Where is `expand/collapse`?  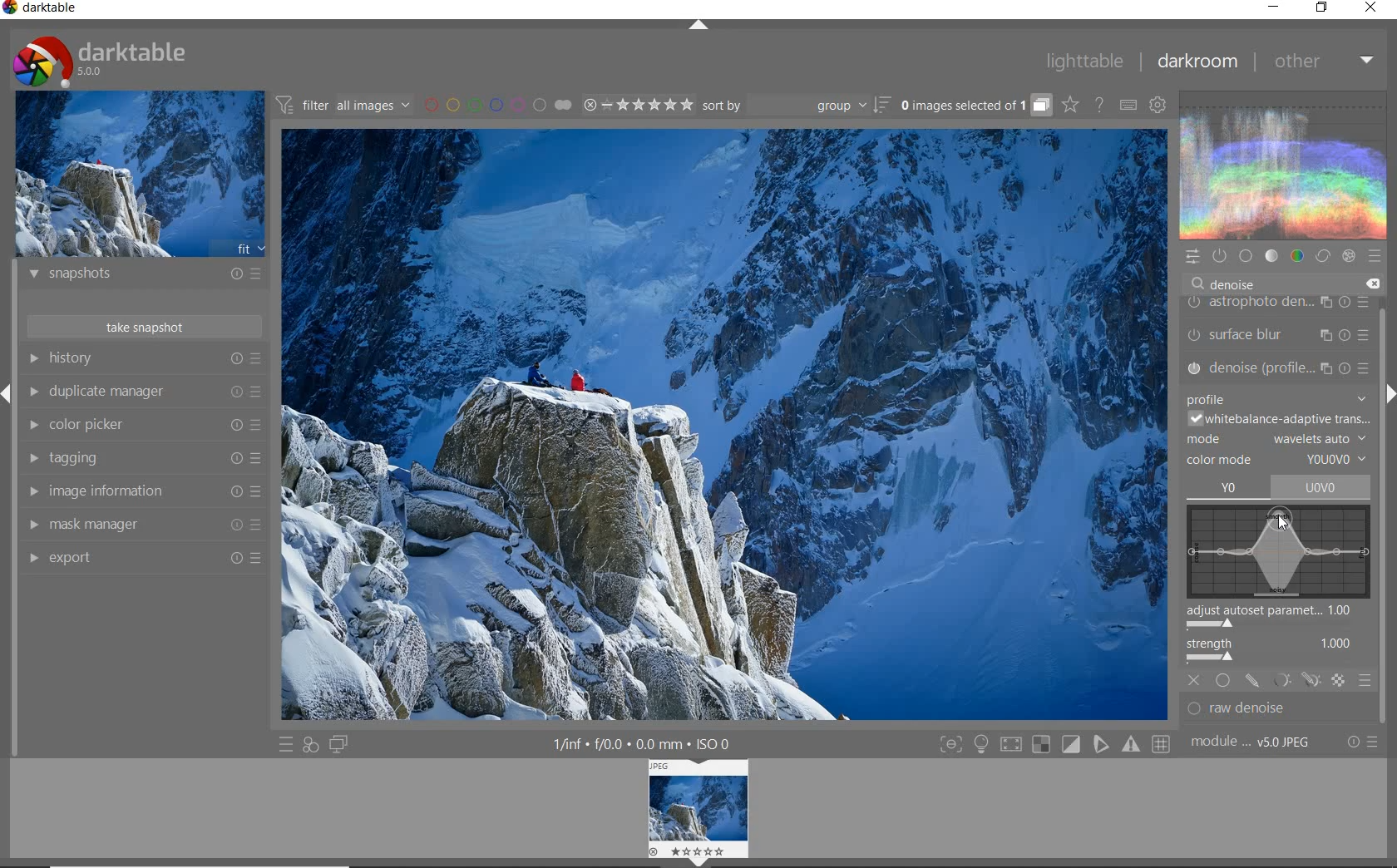 expand/collapse is located at coordinates (697, 26).